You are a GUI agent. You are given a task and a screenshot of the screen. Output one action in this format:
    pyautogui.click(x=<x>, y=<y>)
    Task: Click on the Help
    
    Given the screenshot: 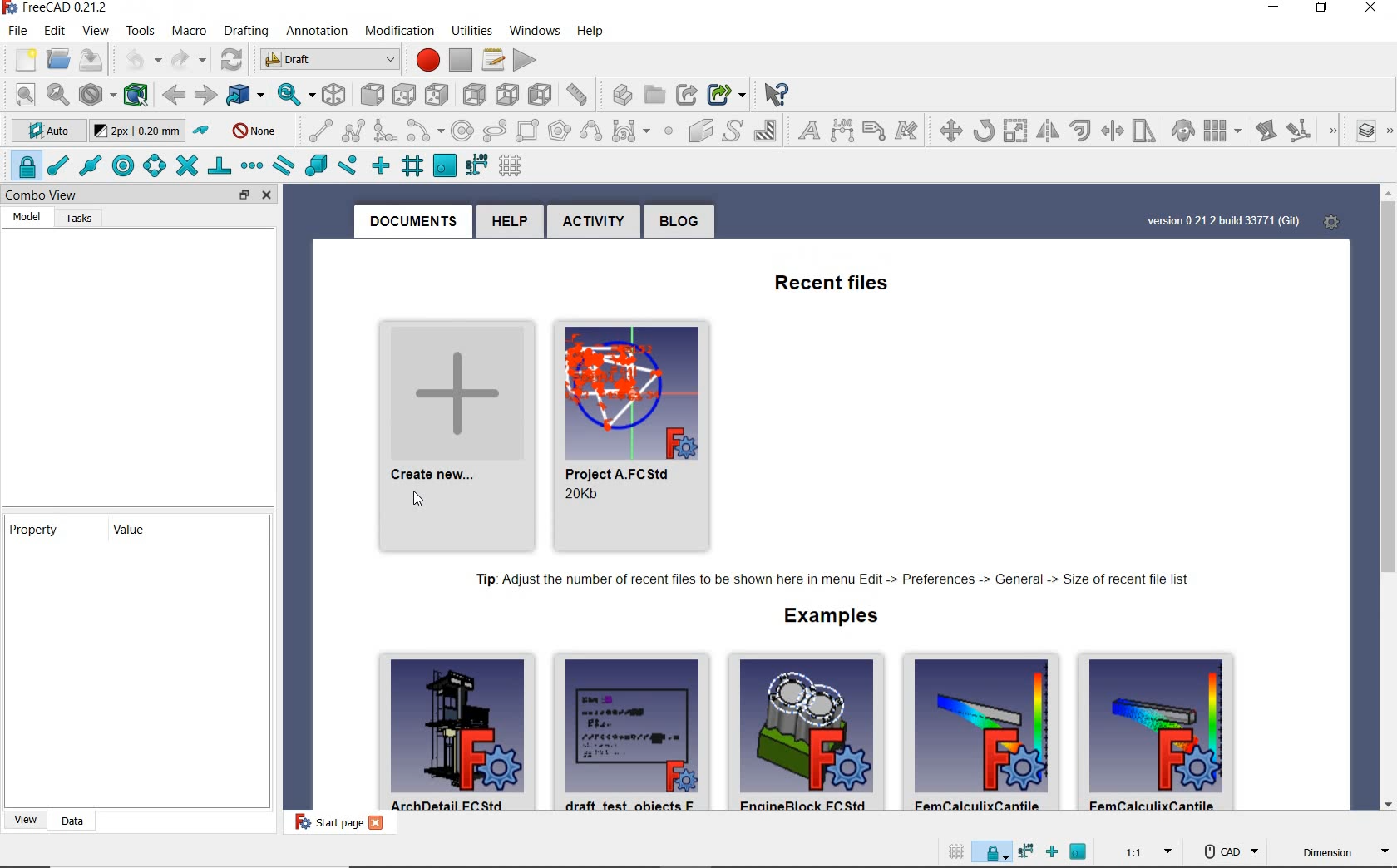 What is the action you would take?
    pyautogui.click(x=590, y=31)
    